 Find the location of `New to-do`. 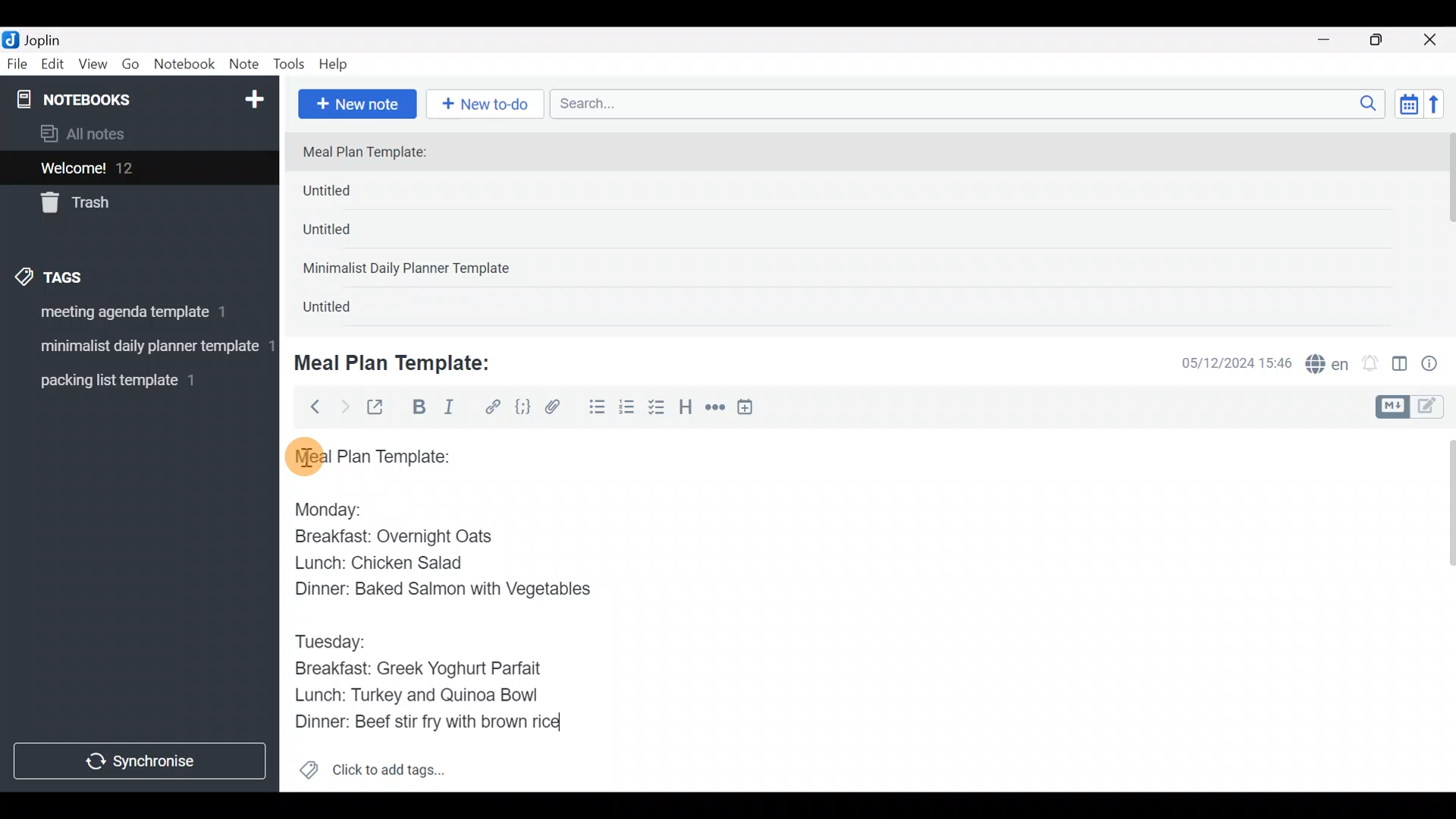

New to-do is located at coordinates (488, 105).